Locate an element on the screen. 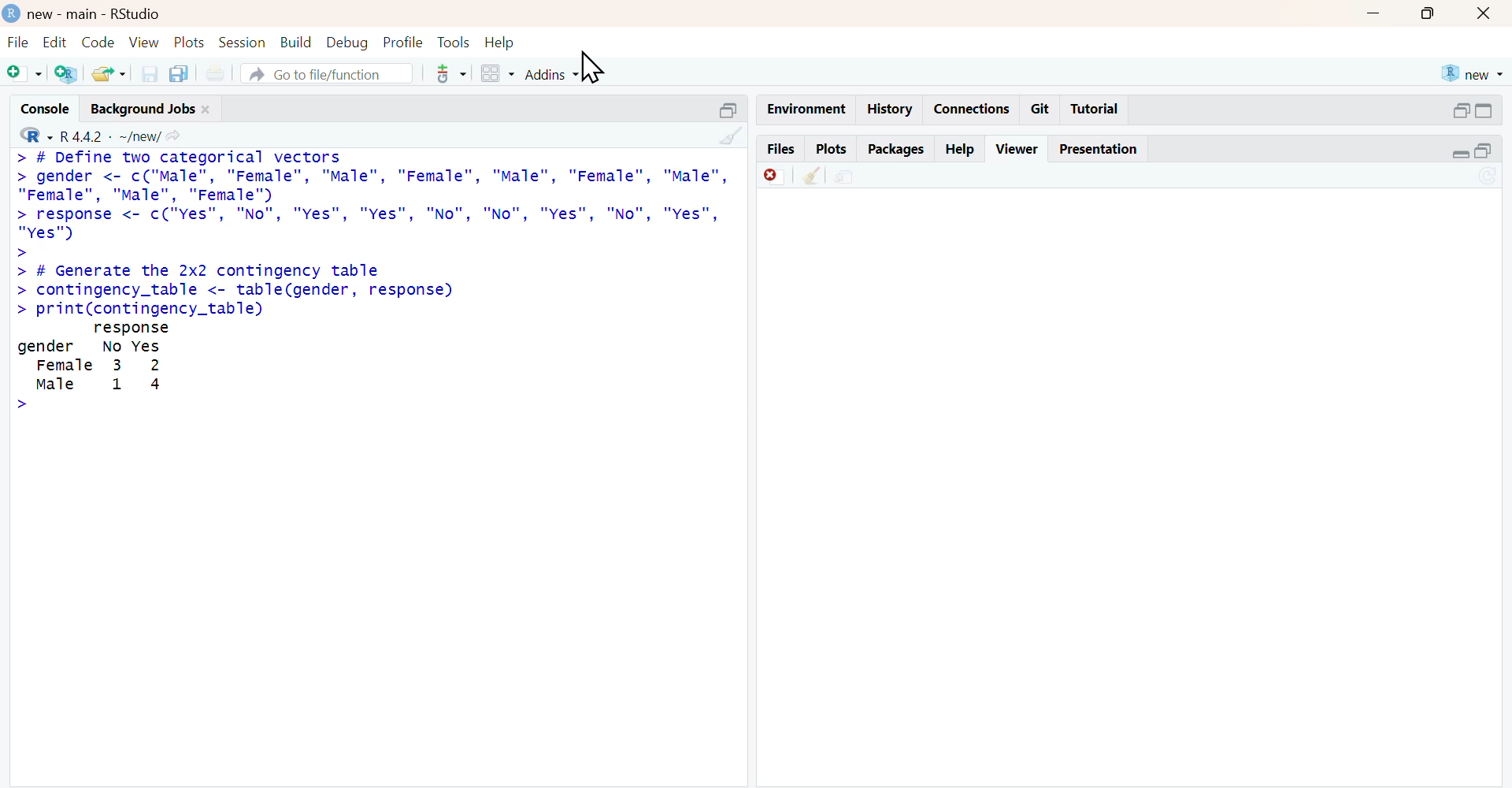 The height and width of the screenshot is (788, 1512). history is located at coordinates (891, 108).